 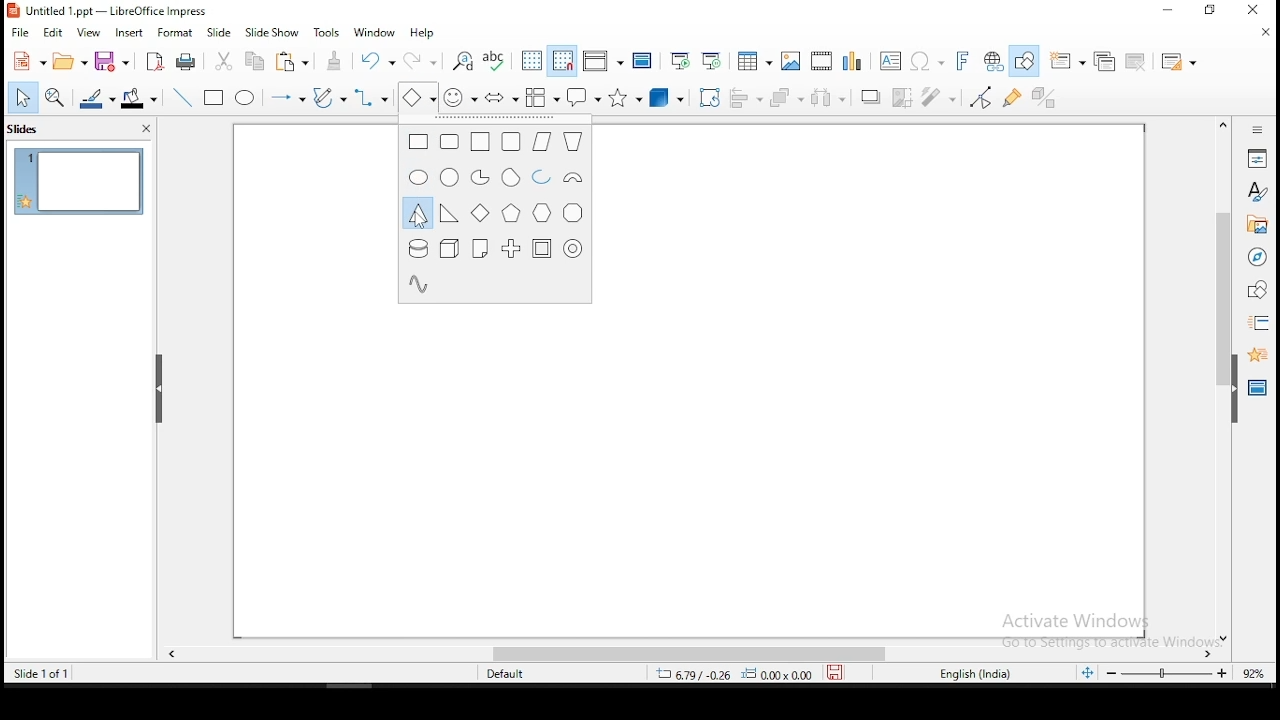 I want to click on gallery, so click(x=1256, y=227).